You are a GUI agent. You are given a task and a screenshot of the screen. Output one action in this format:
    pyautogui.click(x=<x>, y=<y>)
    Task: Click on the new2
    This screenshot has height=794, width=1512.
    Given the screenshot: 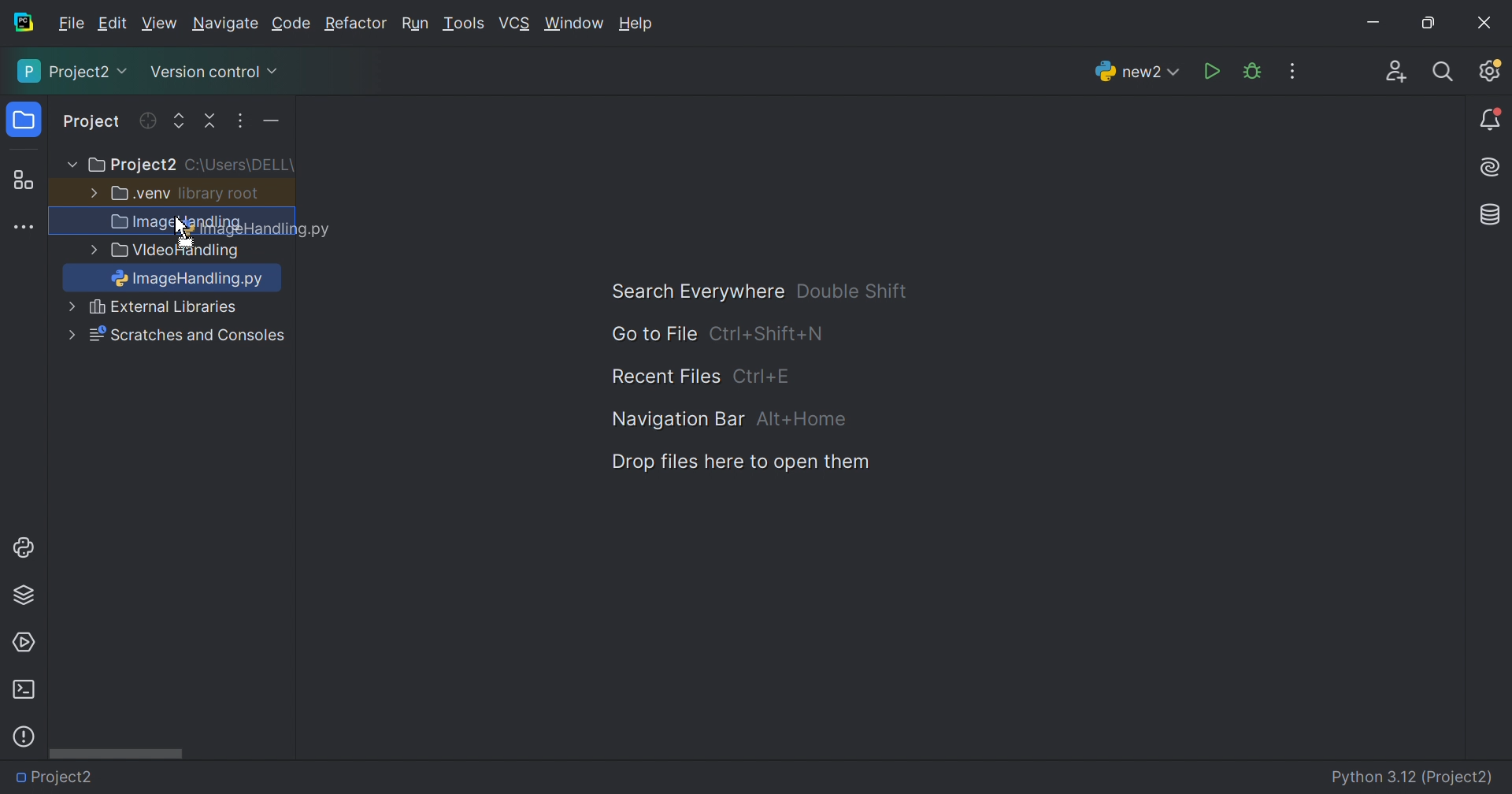 What is the action you would take?
    pyautogui.click(x=1137, y=76)
    